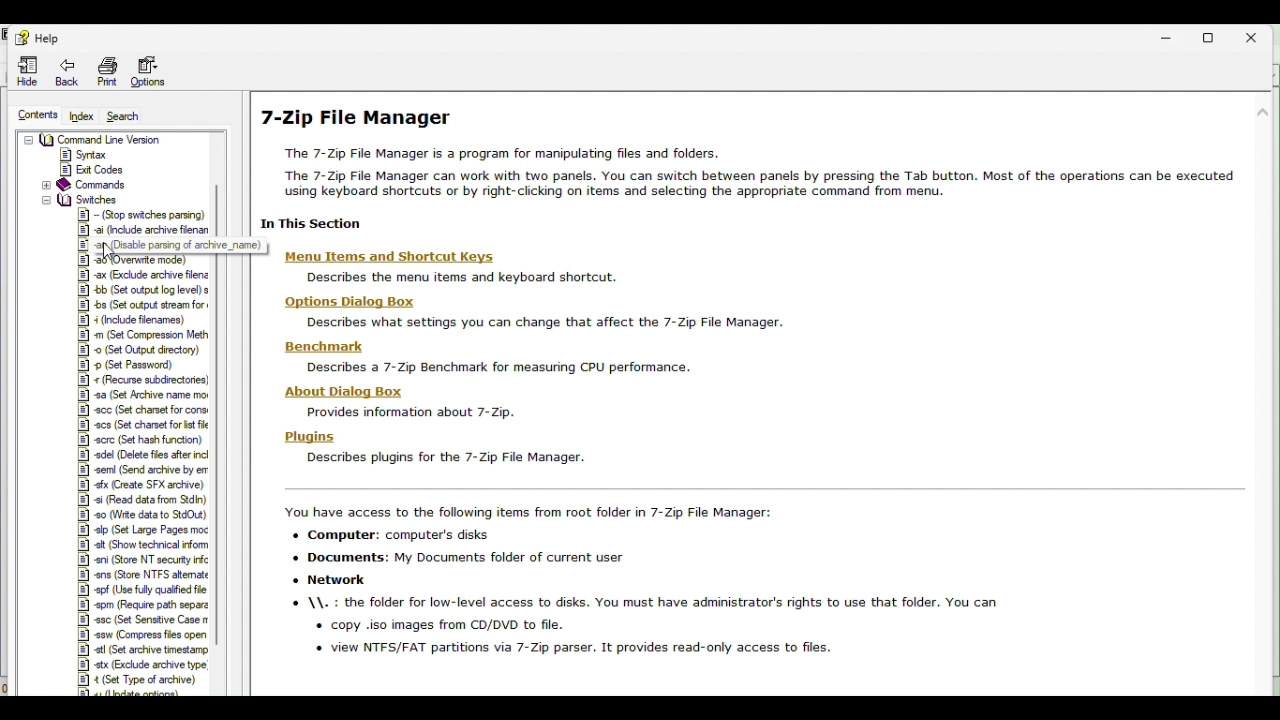 The height and width of the screenshot is (720, 1280). I want to click on §] sa (Set Archive name mor, so click(143, 396).